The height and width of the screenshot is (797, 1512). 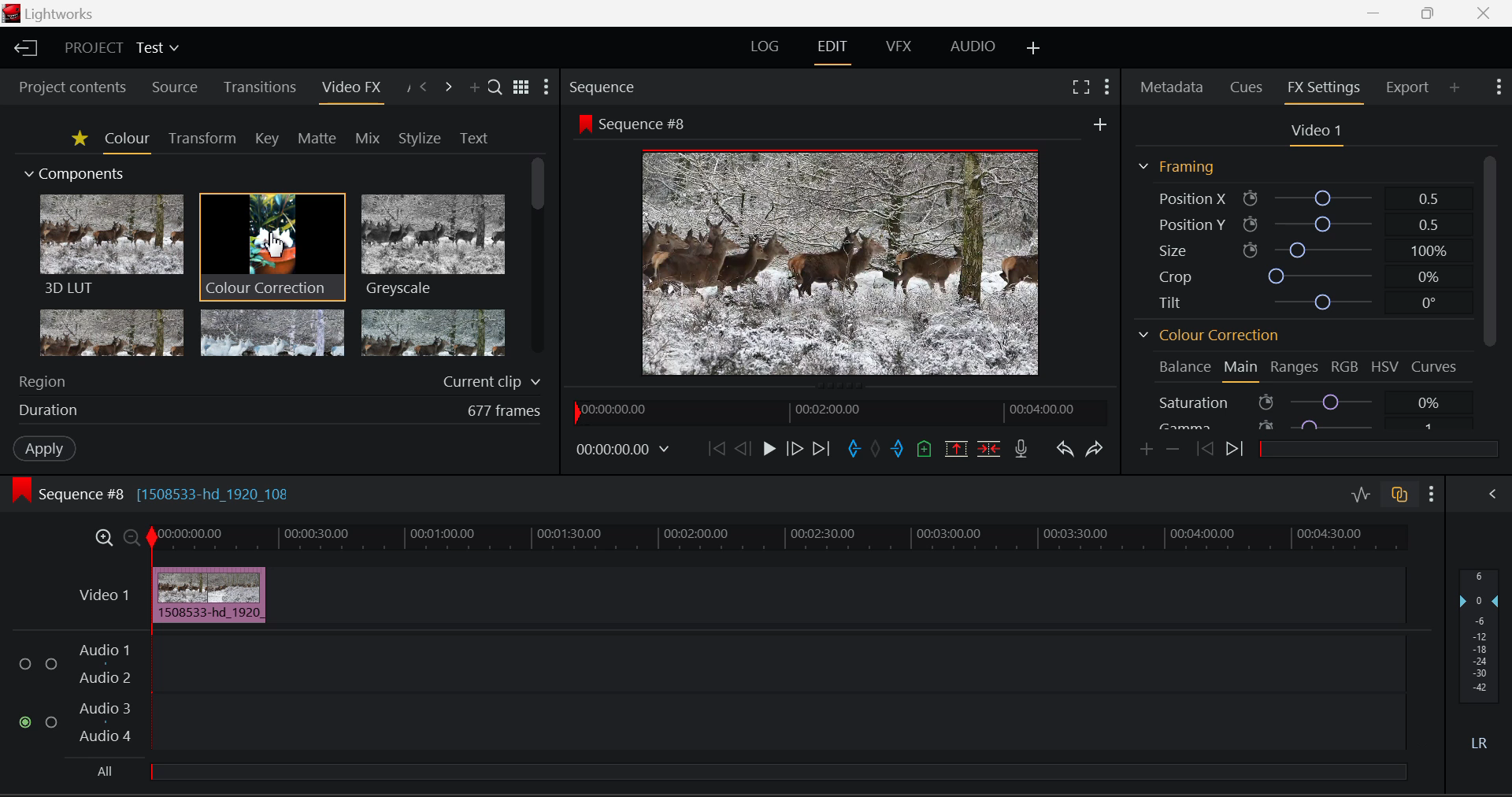 What do you see at coordinates (209, 595) in the screenshot?
I see `Clip Inserted` at bounding box center [209, 595].